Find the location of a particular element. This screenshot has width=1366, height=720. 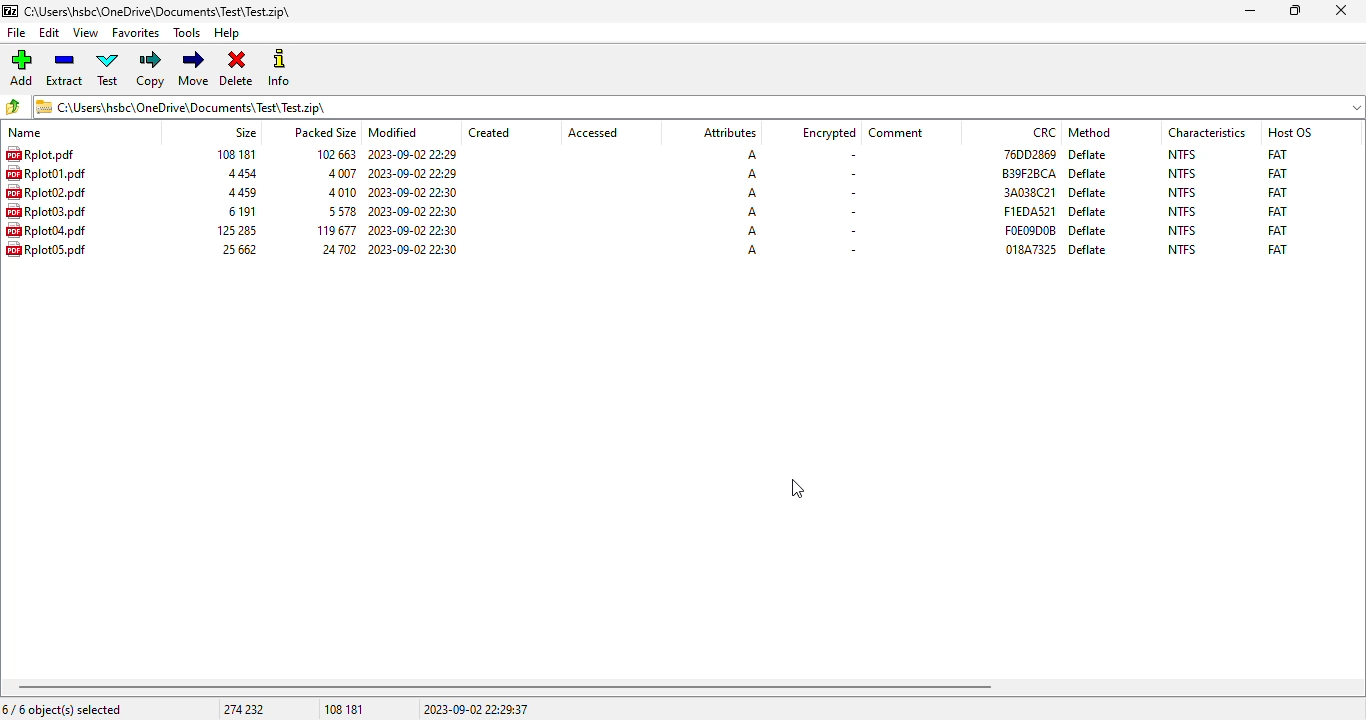

A is located at coordinates (753, 230).